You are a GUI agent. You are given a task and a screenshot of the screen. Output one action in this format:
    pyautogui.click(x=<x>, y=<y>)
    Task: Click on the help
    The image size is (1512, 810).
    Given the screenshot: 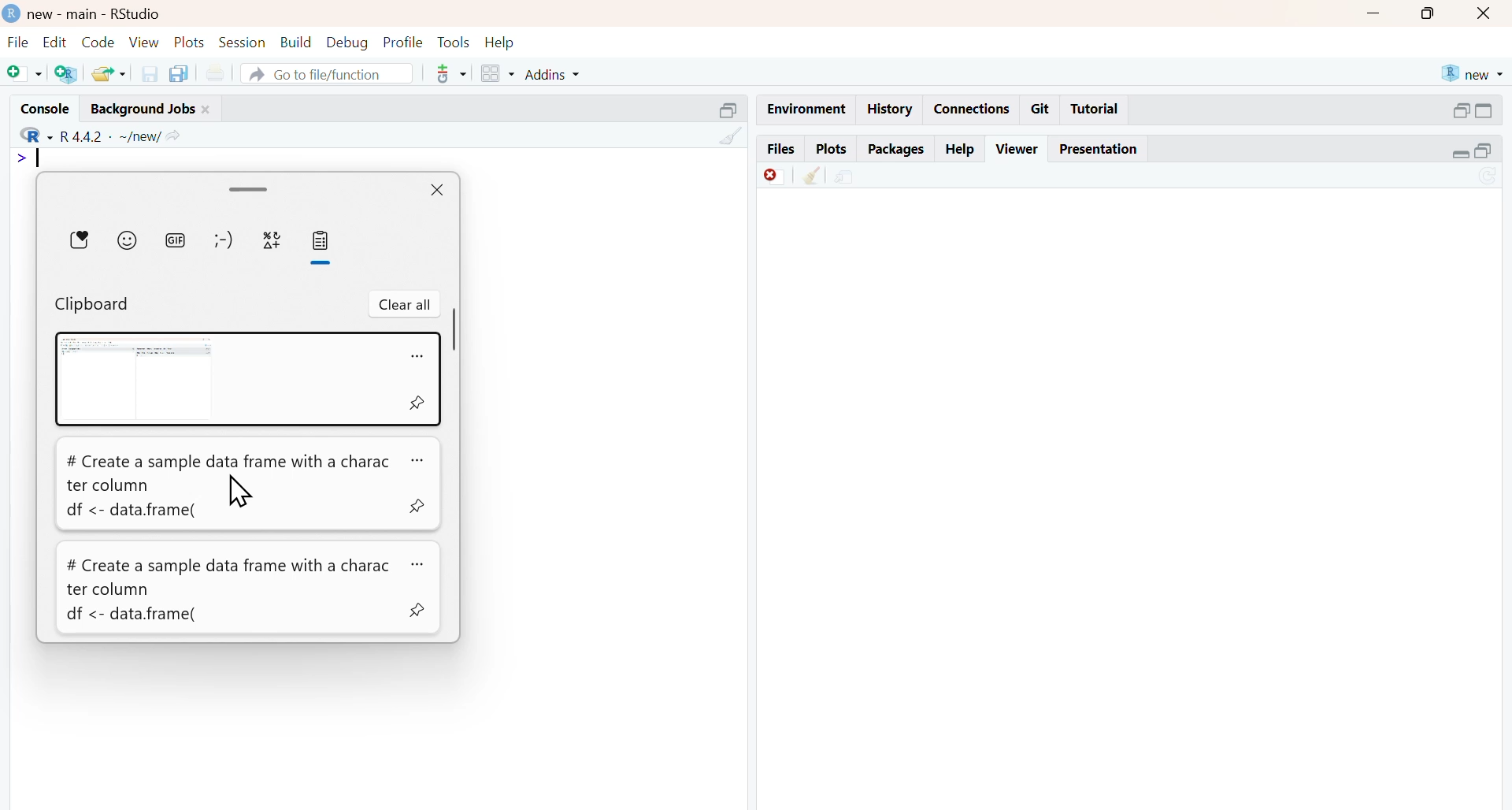 What is the action you would take?
    pyautogui.click(x=500, y=43)
    